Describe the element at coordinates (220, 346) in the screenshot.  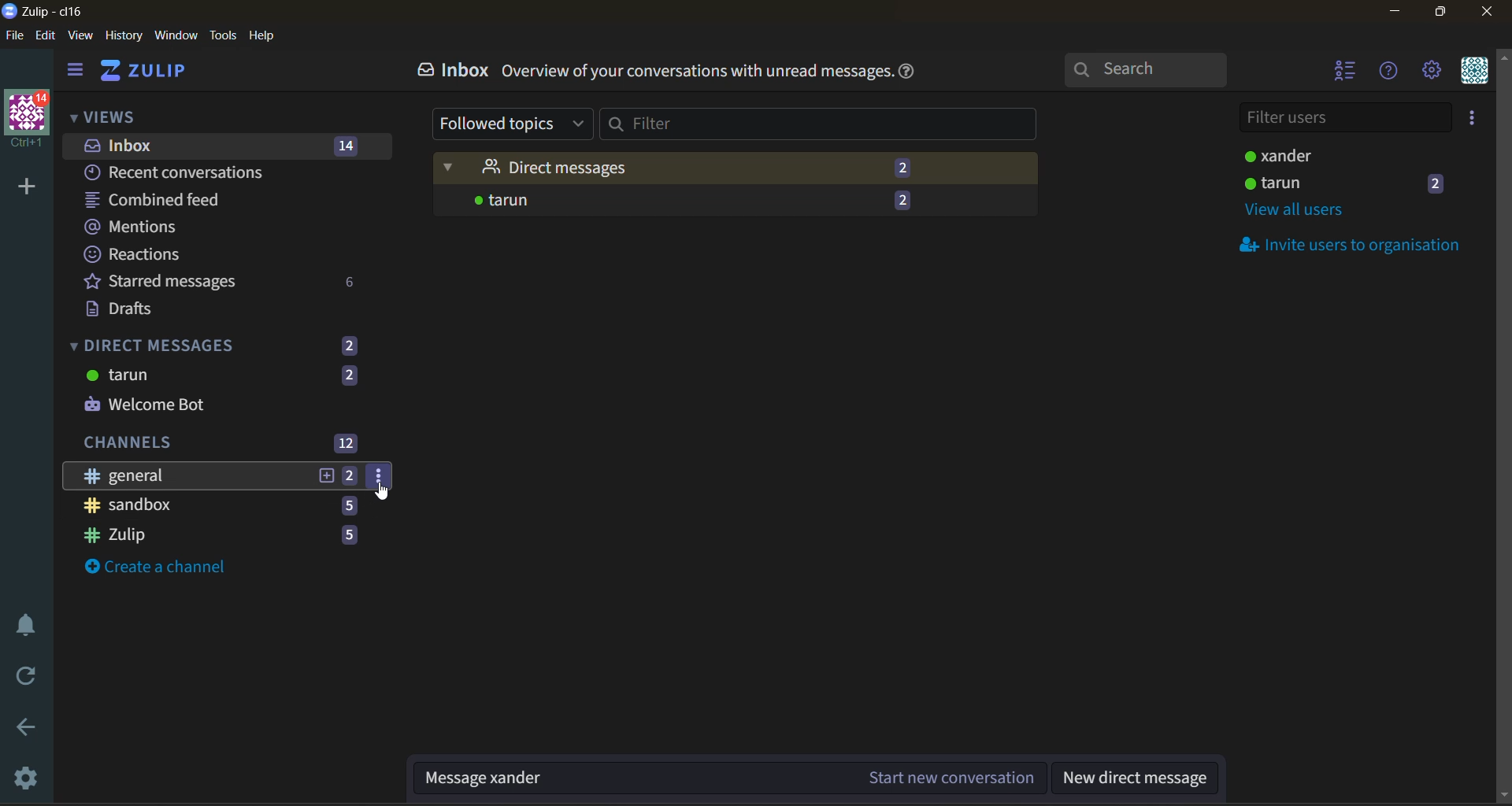
I see `direct messages (2)` at that location.